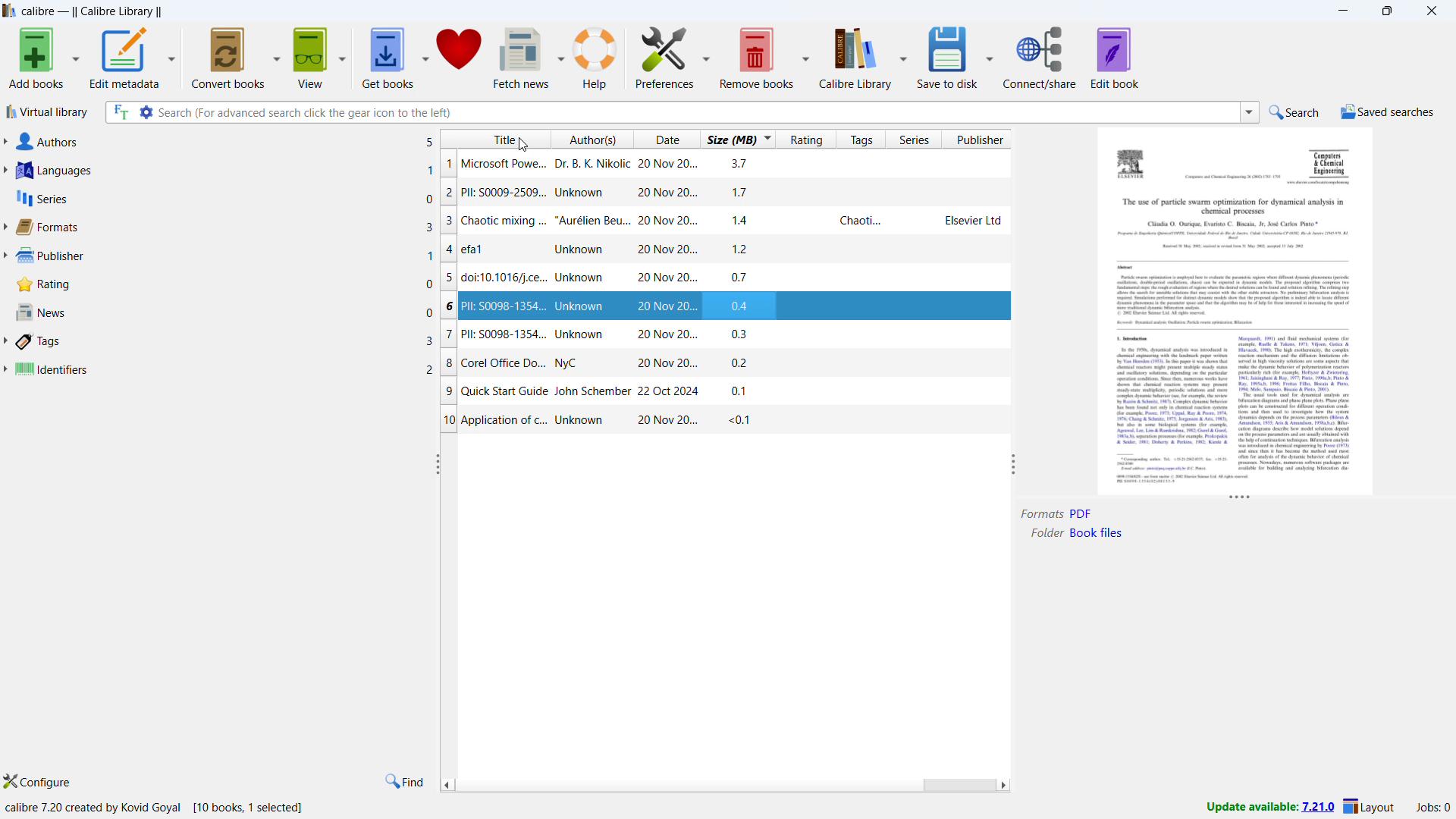 The height and width of the screenshot is (819, 1456). What do you see at coordinates (1043, 515) in the screenshot?
I see `Formats` at bounding box center [1043, 515].